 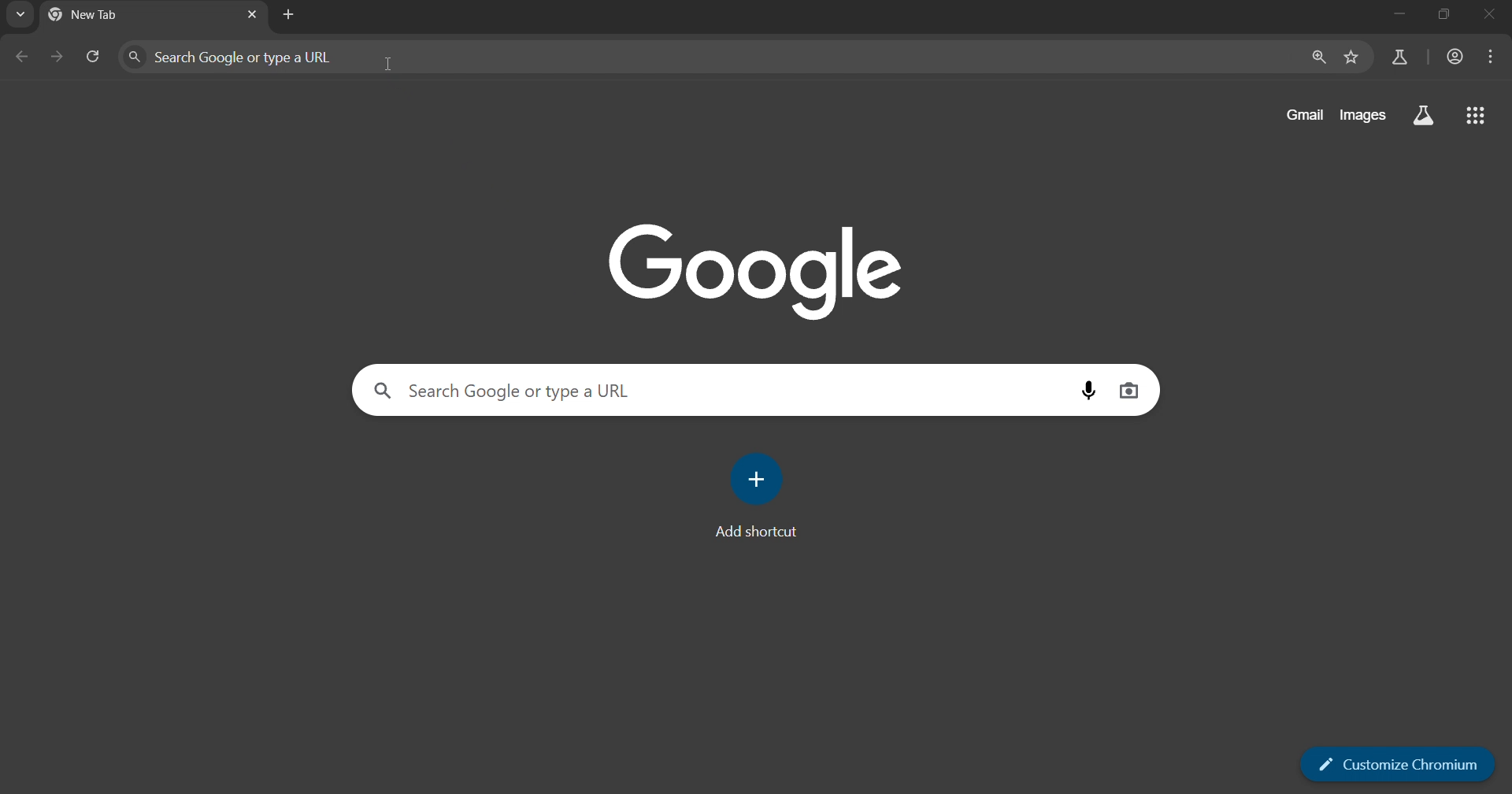 What do you see at coordinates (24, 58) in the screenshot?
I see `go back one page` at bounding box center [24, 58].